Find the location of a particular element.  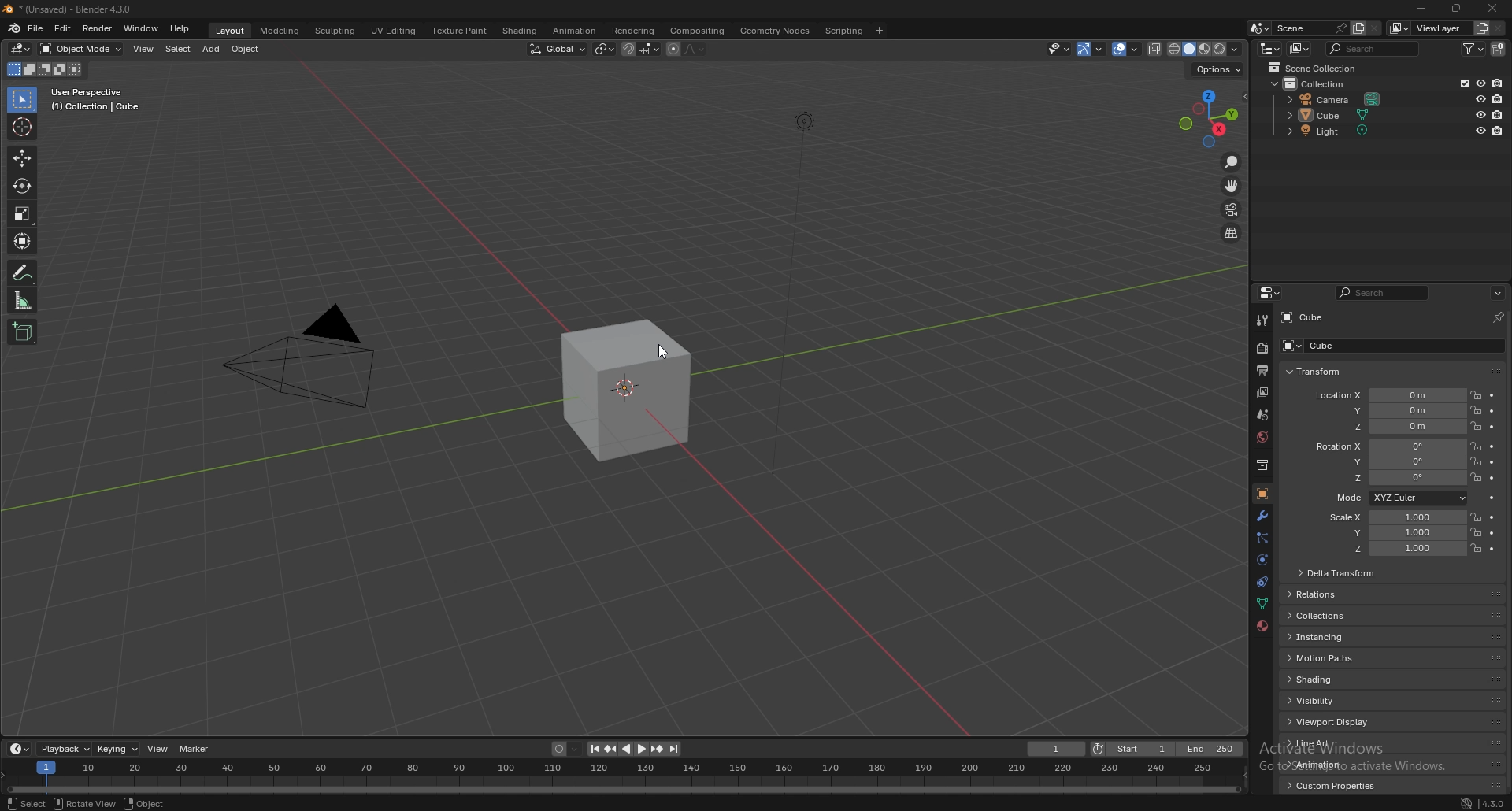

delete scene is located at coordinates (1375, 29).